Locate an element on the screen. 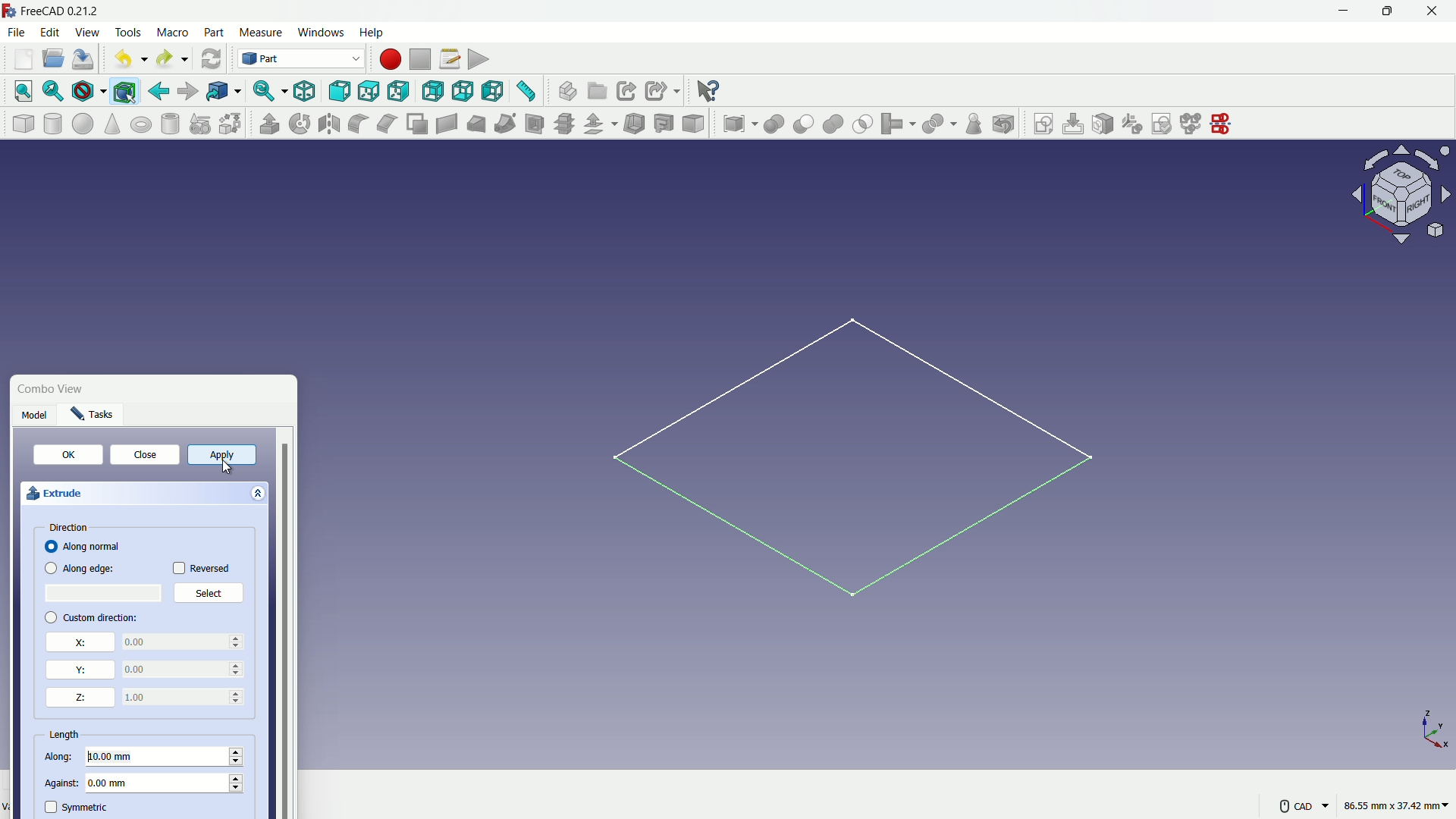  top view is located at coordinates (368, 90).